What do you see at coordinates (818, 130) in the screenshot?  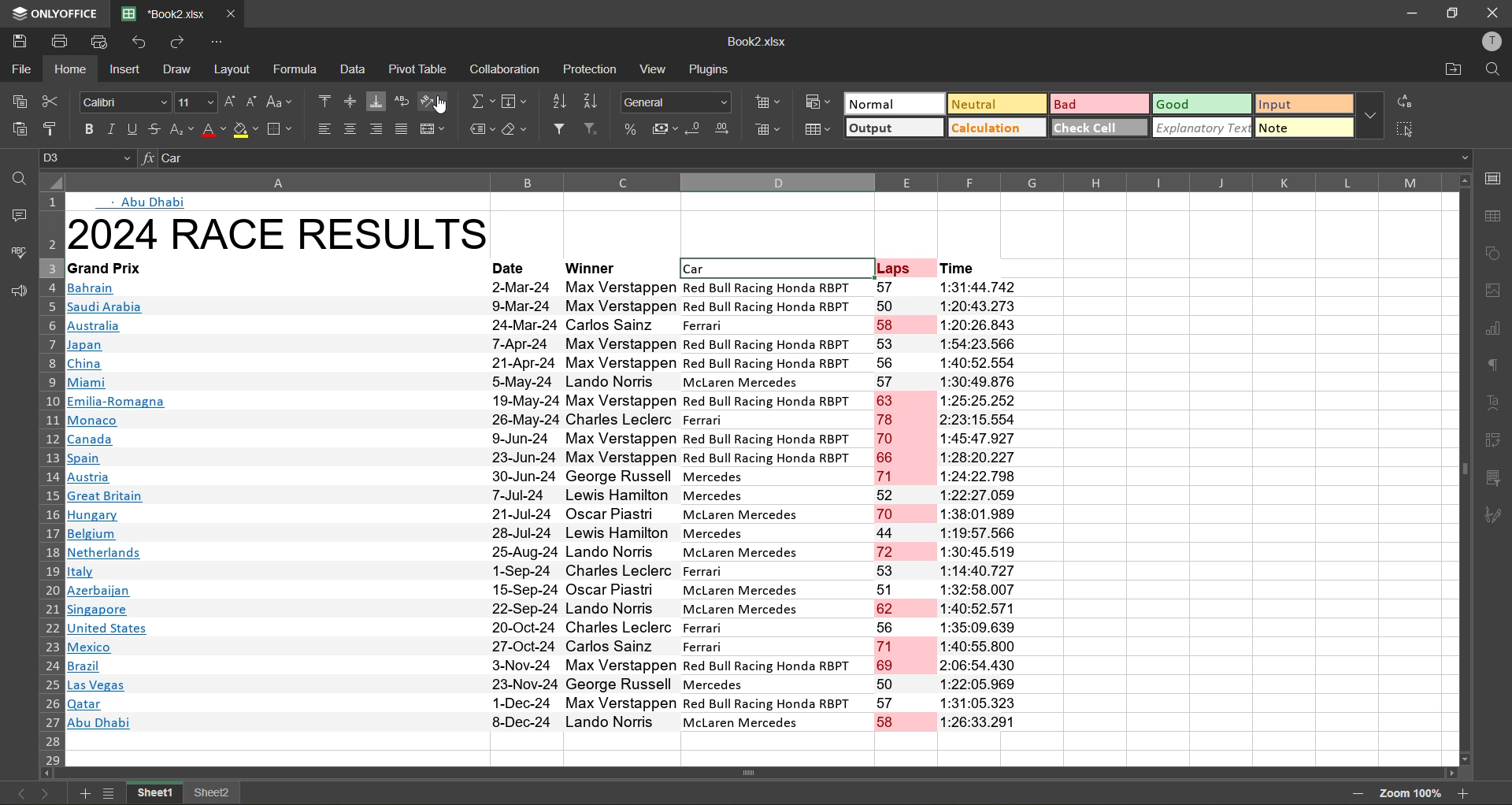 I see `format as table` at bounding box center [818, 130].